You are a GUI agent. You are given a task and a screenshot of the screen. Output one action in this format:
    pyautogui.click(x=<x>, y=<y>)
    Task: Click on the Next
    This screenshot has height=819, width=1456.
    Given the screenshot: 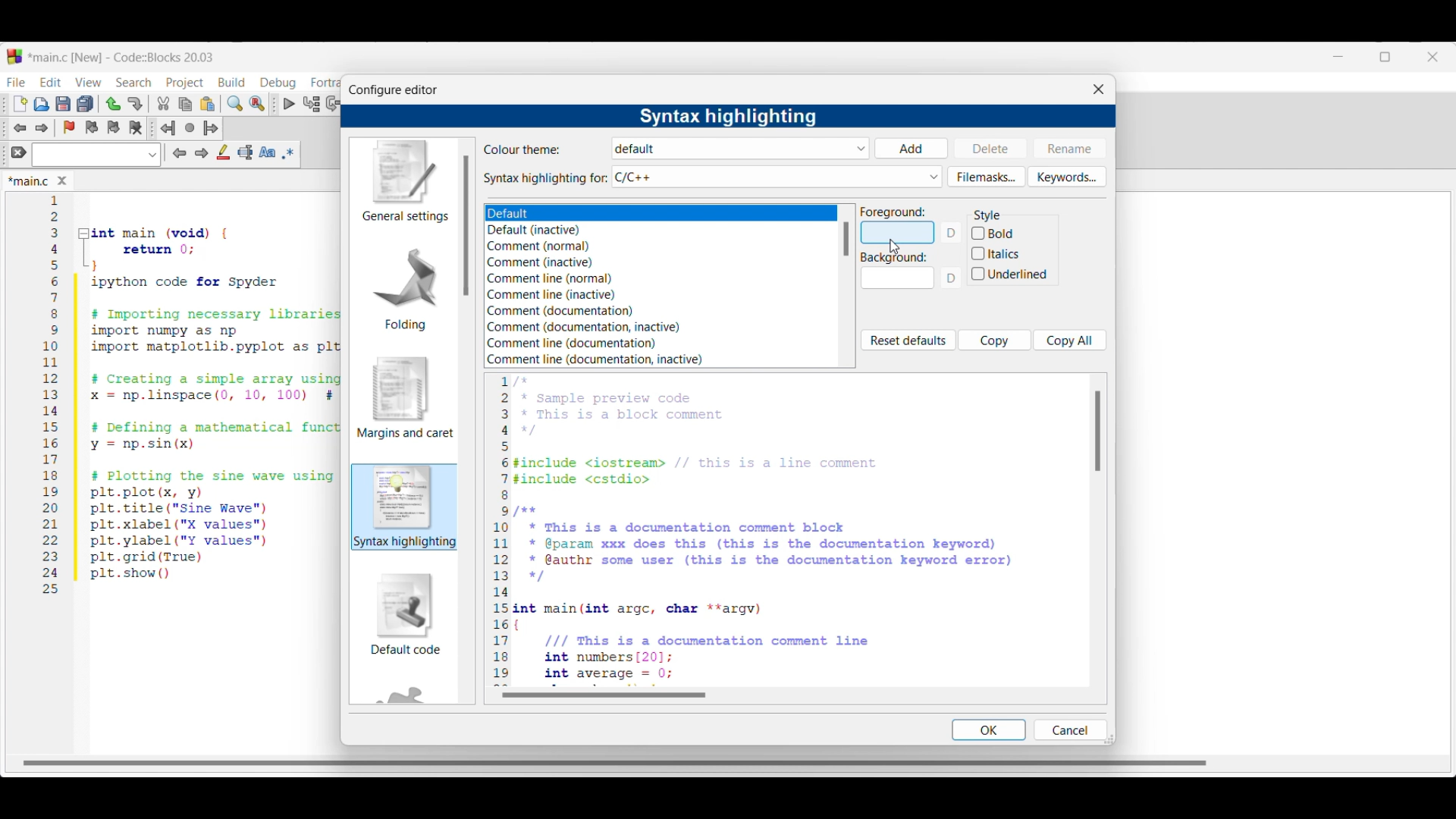 What is the action you would take?
    pyautogui.click(x=201, y=152)
    